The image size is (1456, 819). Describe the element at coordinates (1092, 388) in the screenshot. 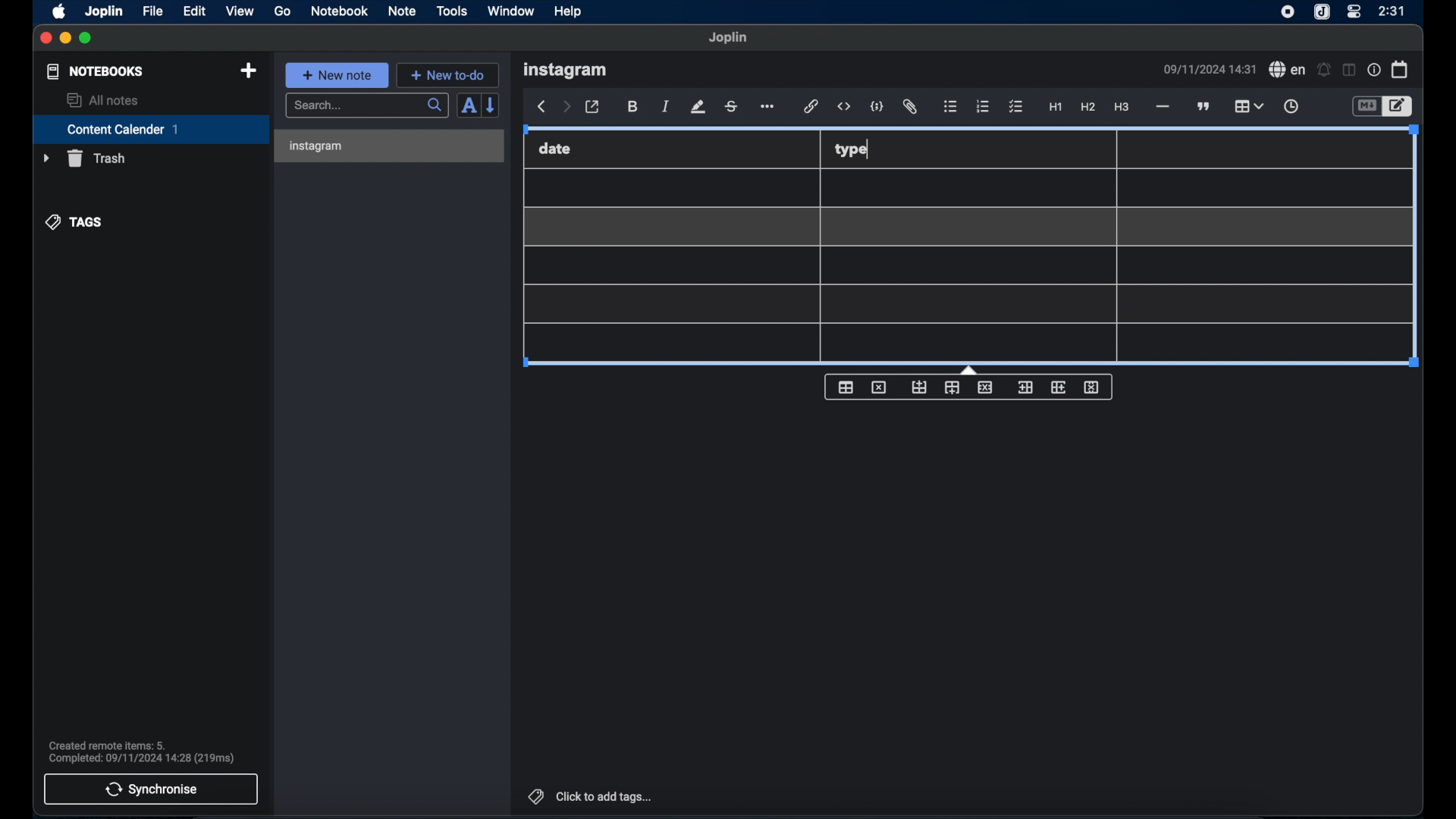

I see `delete column` at that location.